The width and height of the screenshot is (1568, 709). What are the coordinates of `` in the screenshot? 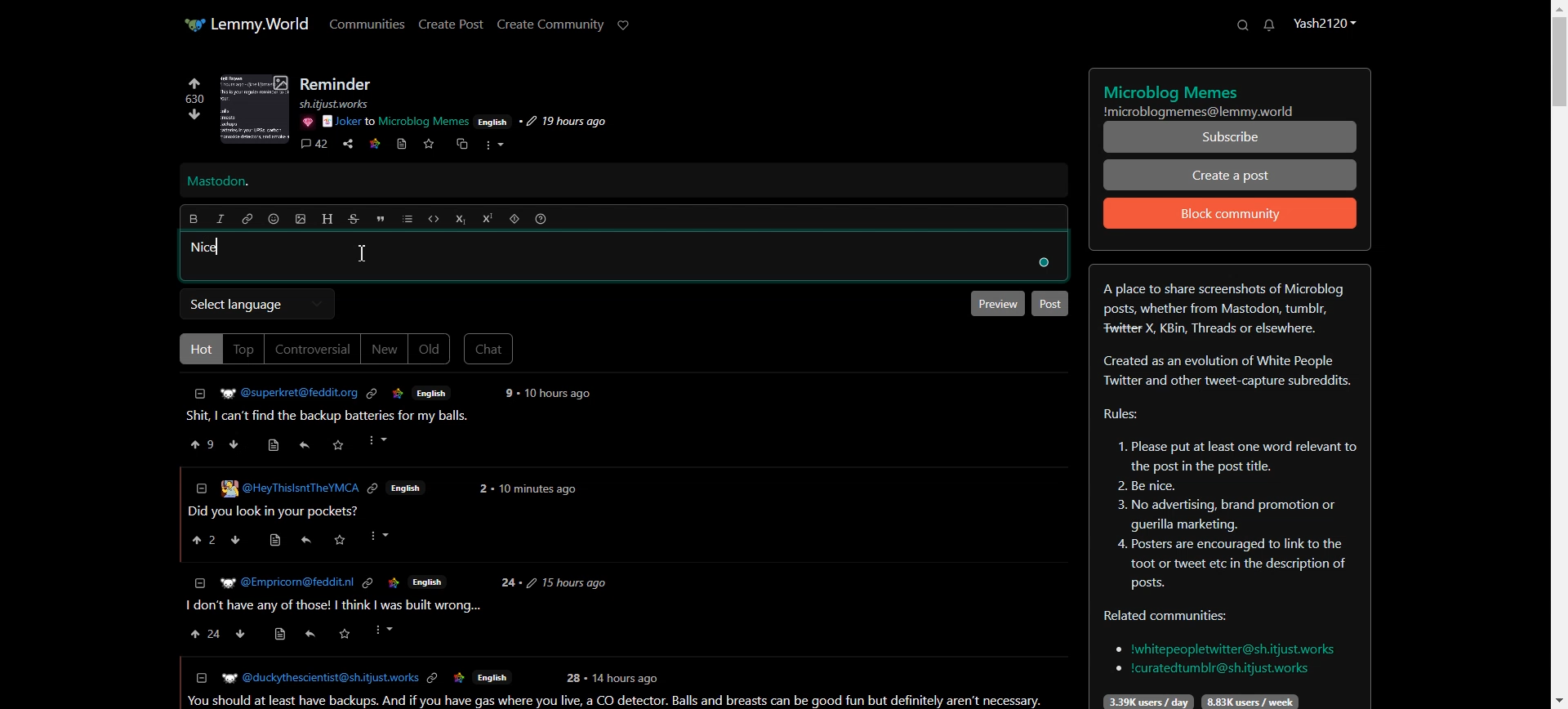 It's located at (396, 122).